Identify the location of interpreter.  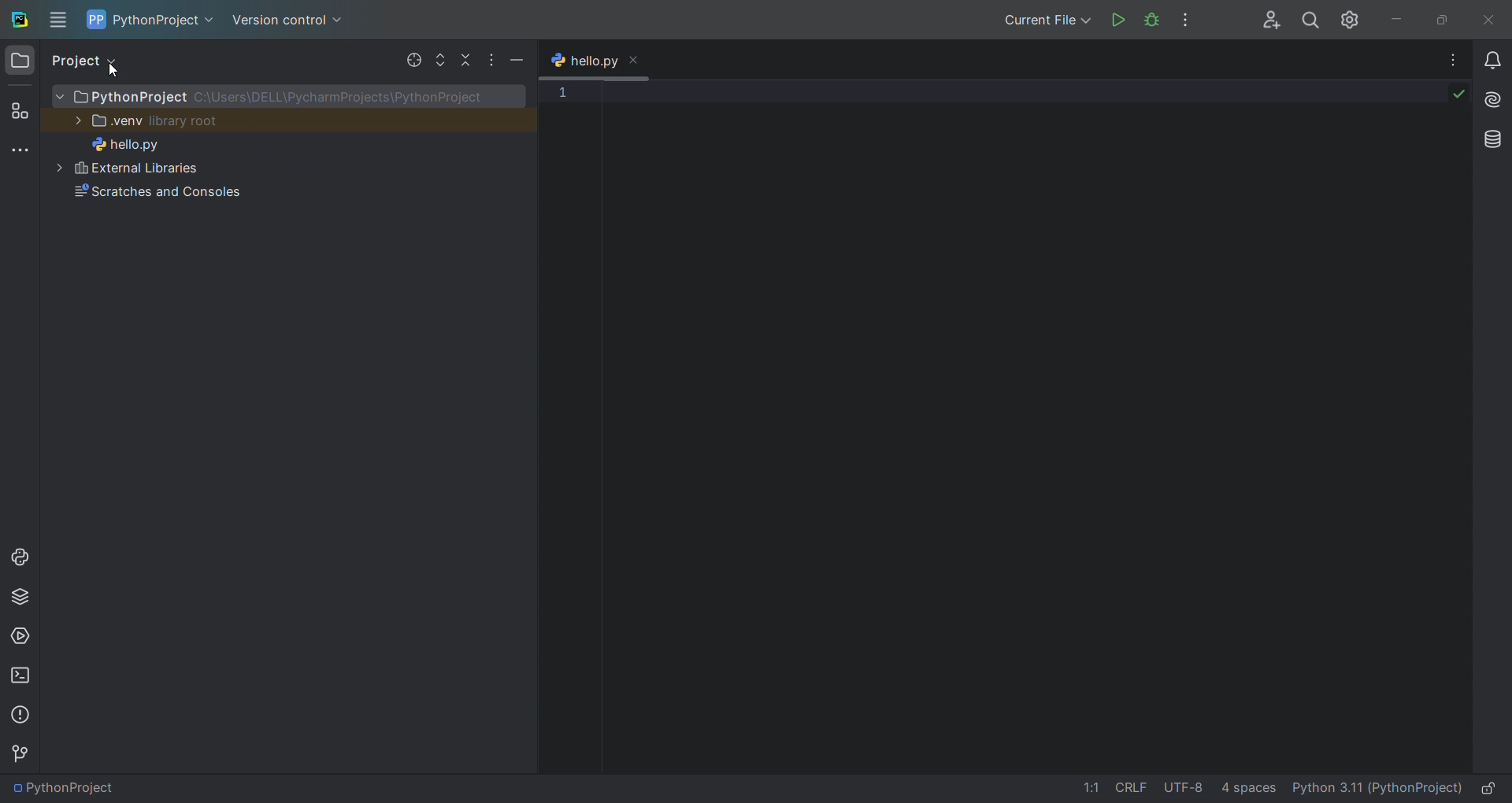
(1376, 790).